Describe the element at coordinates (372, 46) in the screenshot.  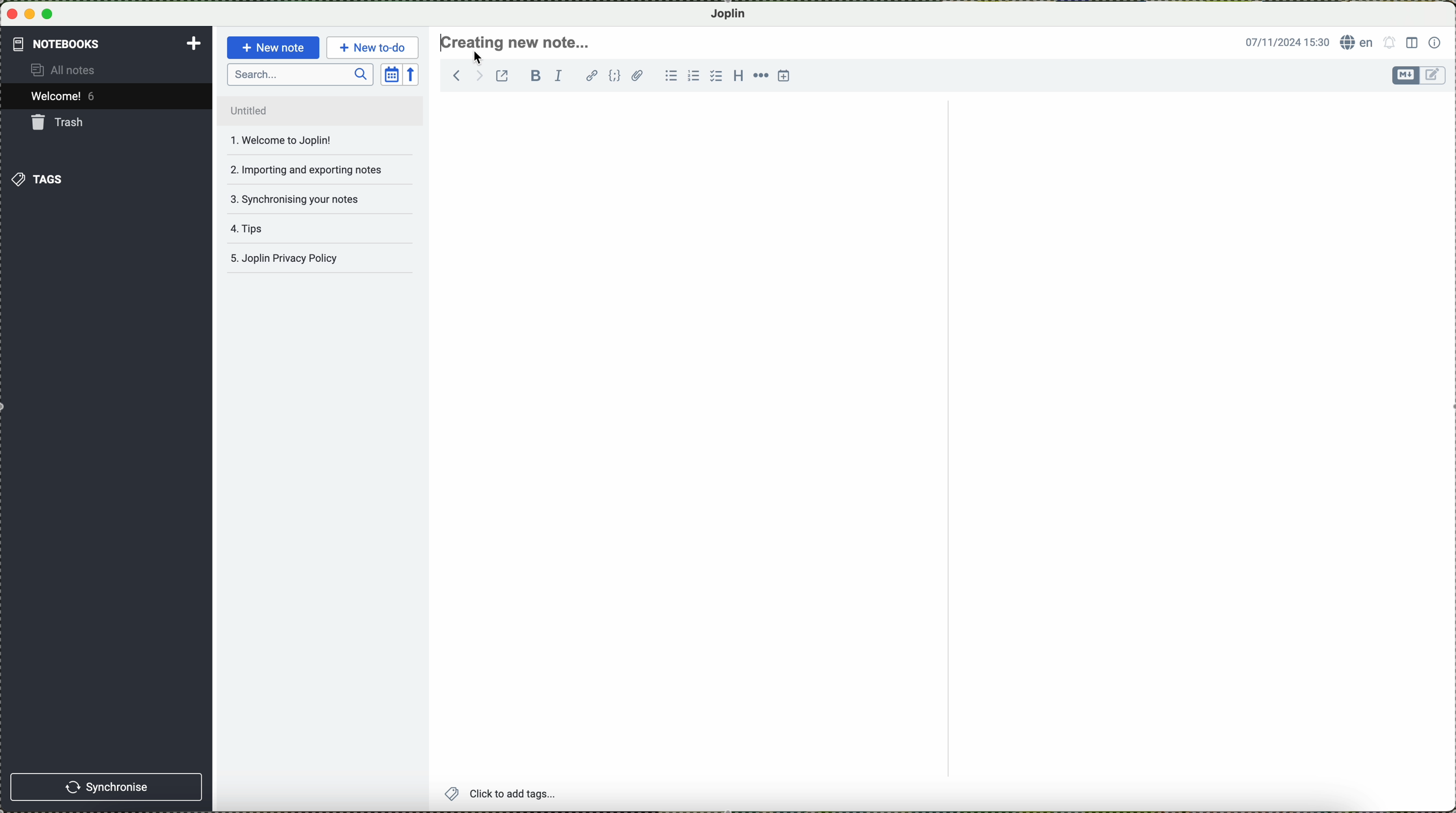
I see `new to-do` at that location.